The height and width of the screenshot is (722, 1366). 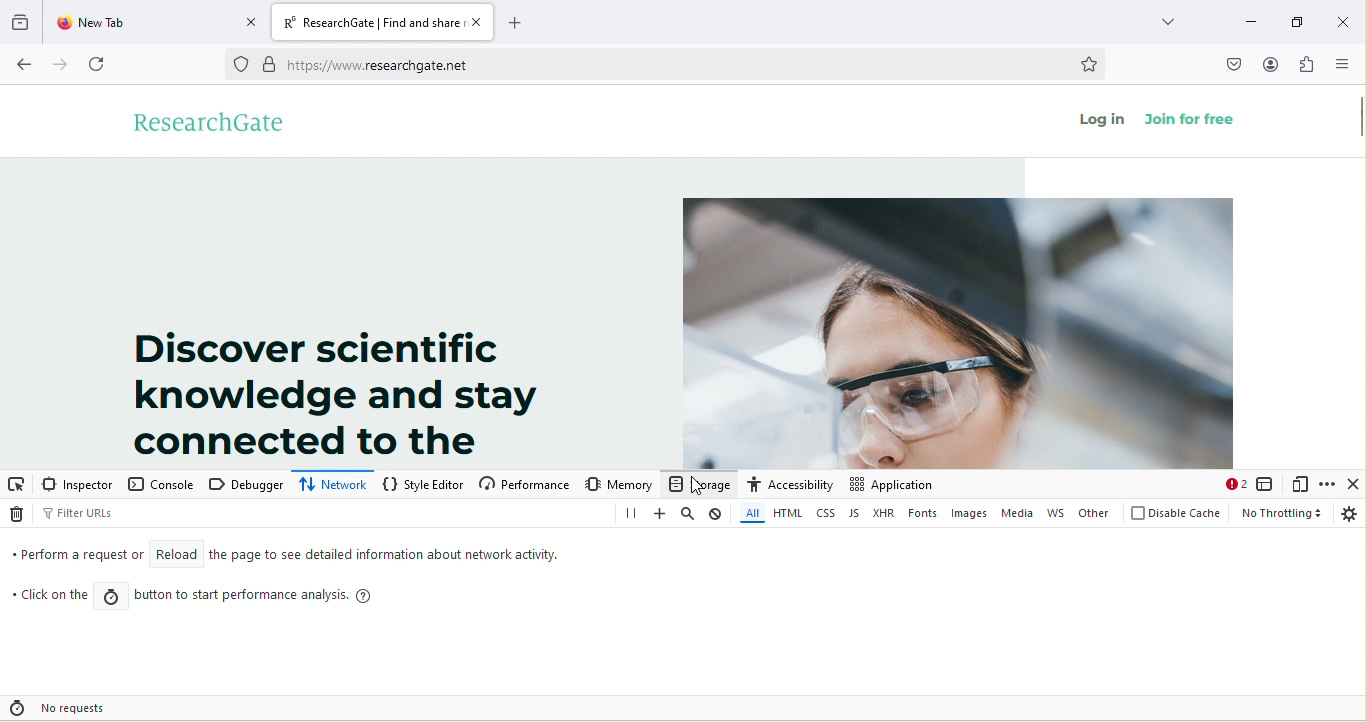 What do you see at coordinates (252, 22) in the screenshot?
I see `close tab` at bounding box center [252, 22].